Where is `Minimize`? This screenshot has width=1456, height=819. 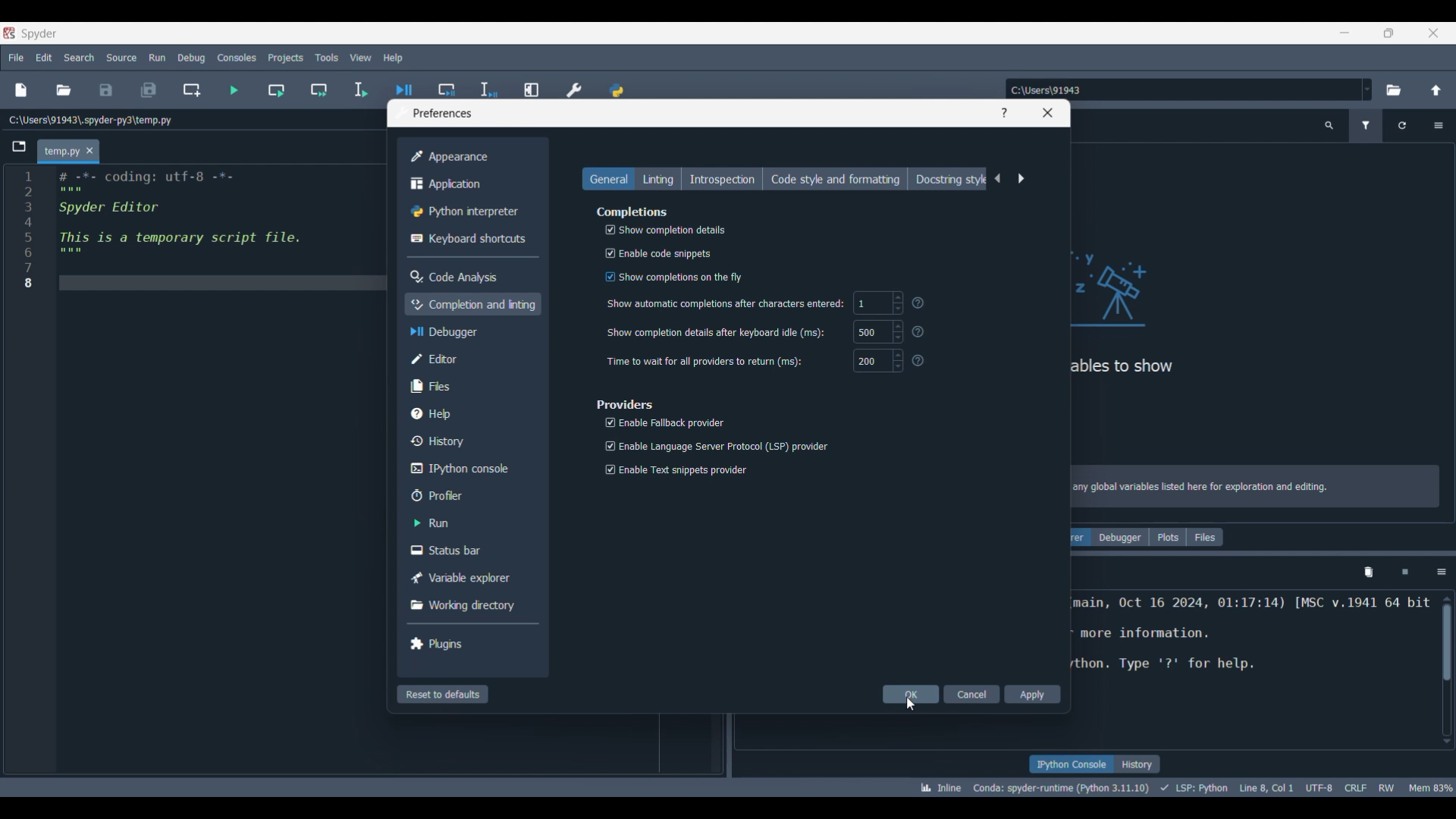 Minimize is located at coordinates (1345, 33).